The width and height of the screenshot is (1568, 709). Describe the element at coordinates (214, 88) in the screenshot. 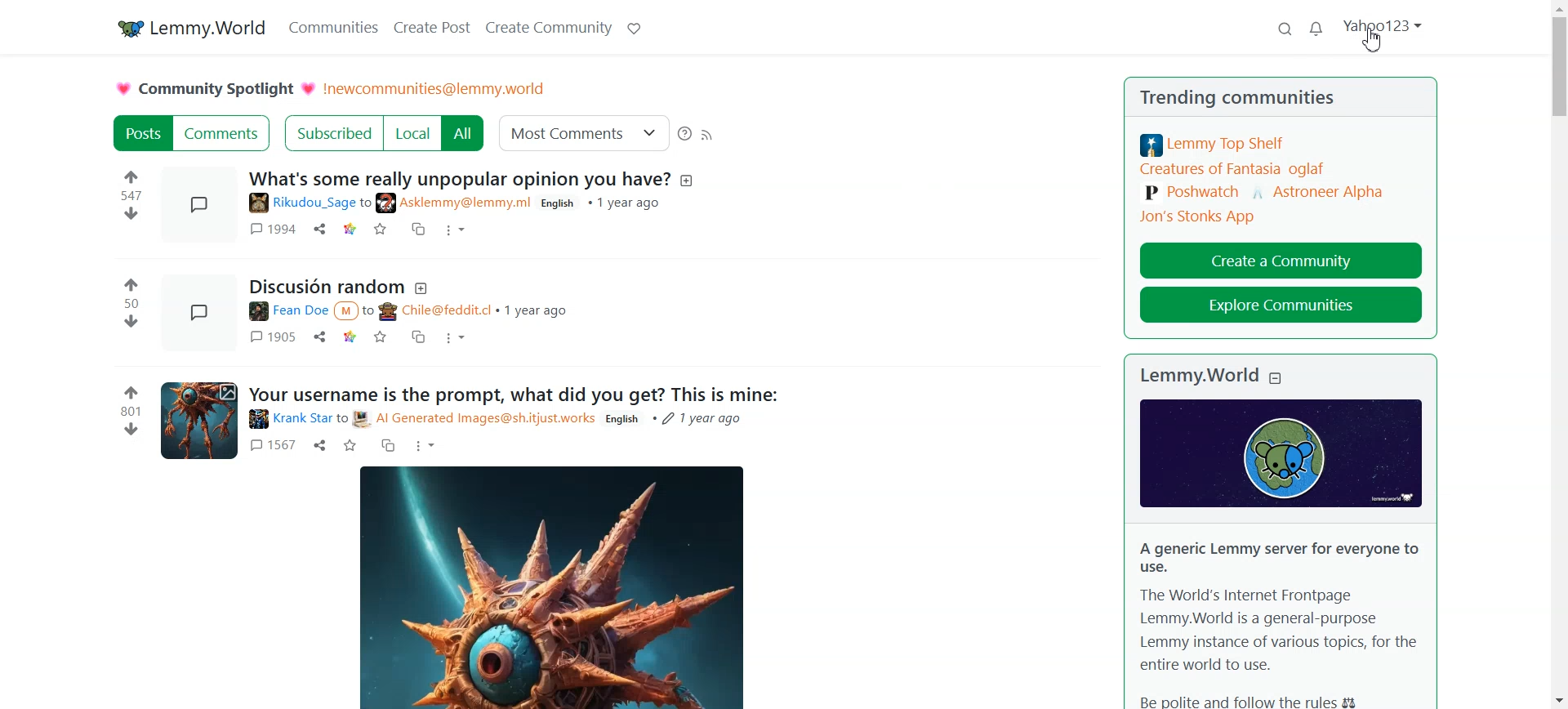

I see `Community spotlight` at that location.